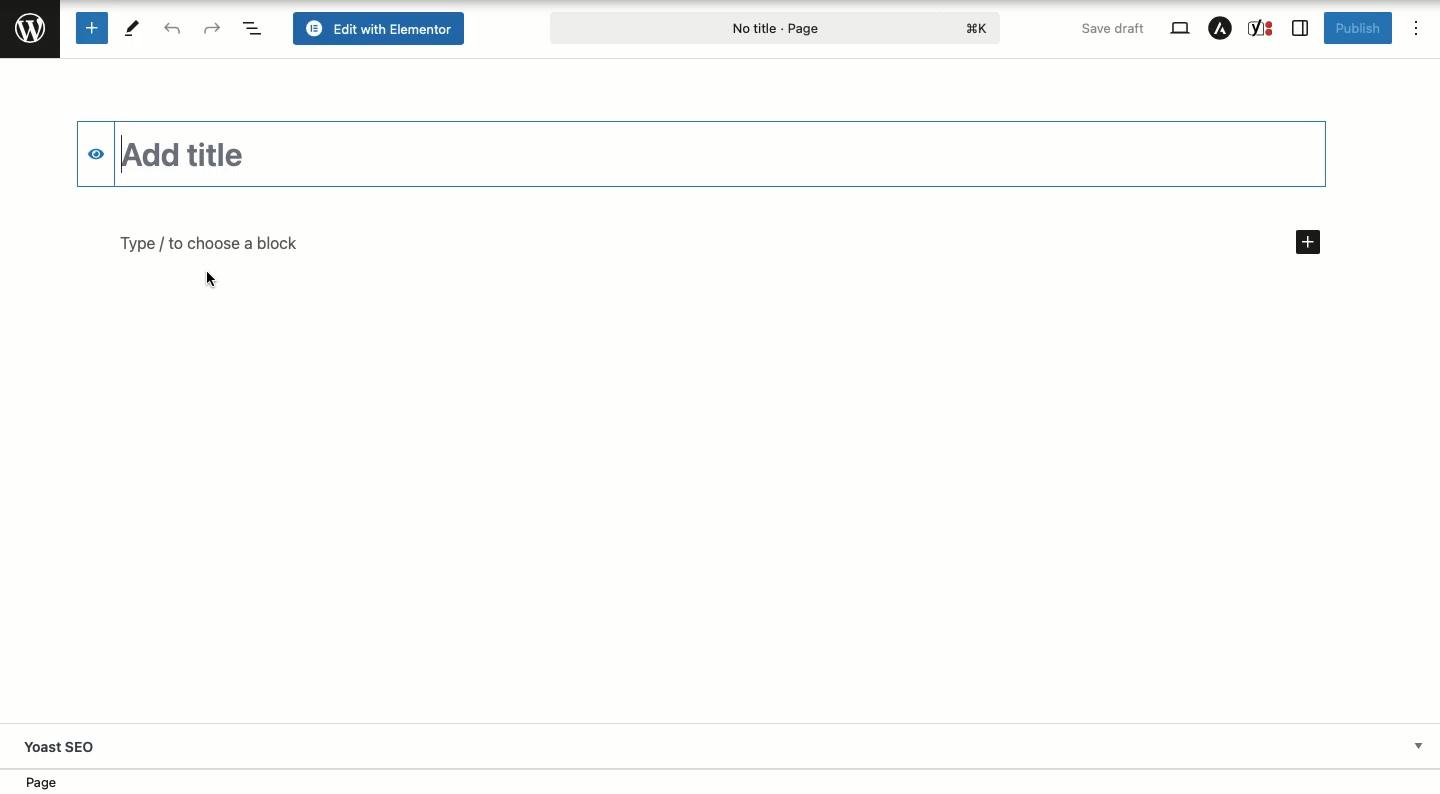 The width and height of the screenshot is (1440, 794). I want to click on Sidebar, so click(1298, 30).